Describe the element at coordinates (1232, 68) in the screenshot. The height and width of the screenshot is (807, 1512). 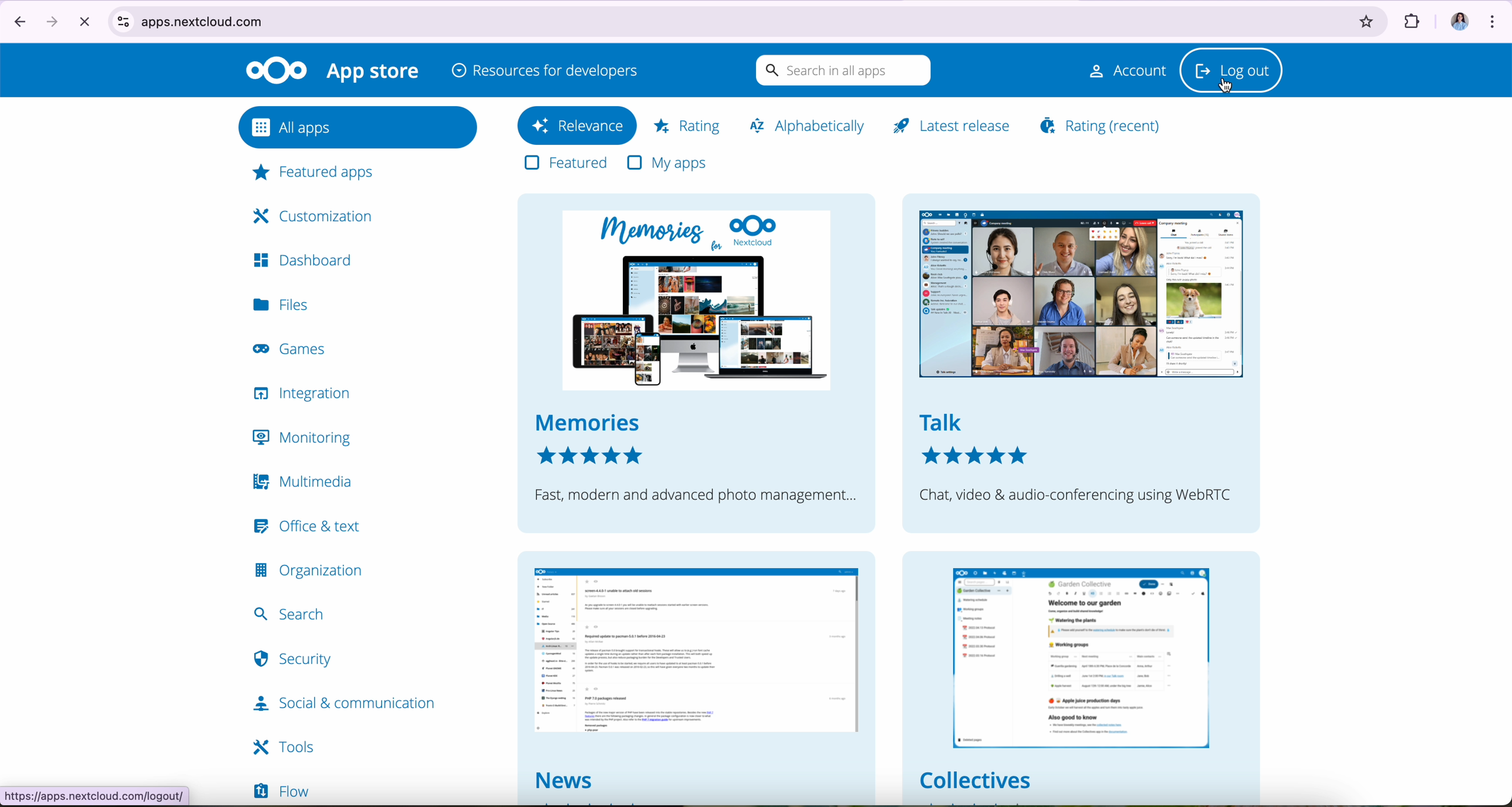
I see `log out` at that location.